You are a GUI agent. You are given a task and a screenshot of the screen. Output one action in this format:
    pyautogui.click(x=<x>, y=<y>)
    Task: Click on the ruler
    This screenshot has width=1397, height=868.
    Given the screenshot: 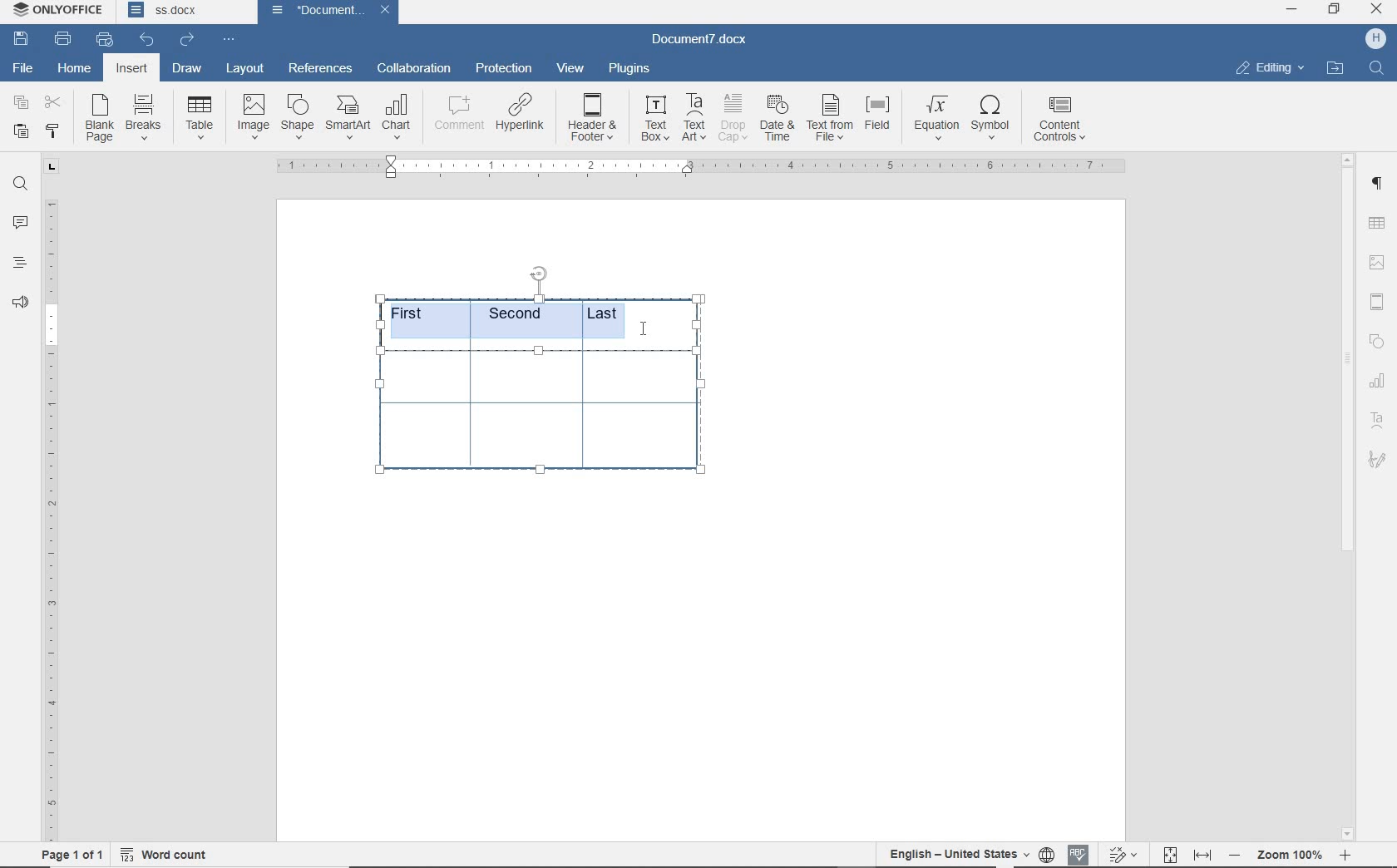 What is the action you would take?
    pyautogui.click(x=697, y=167)
    